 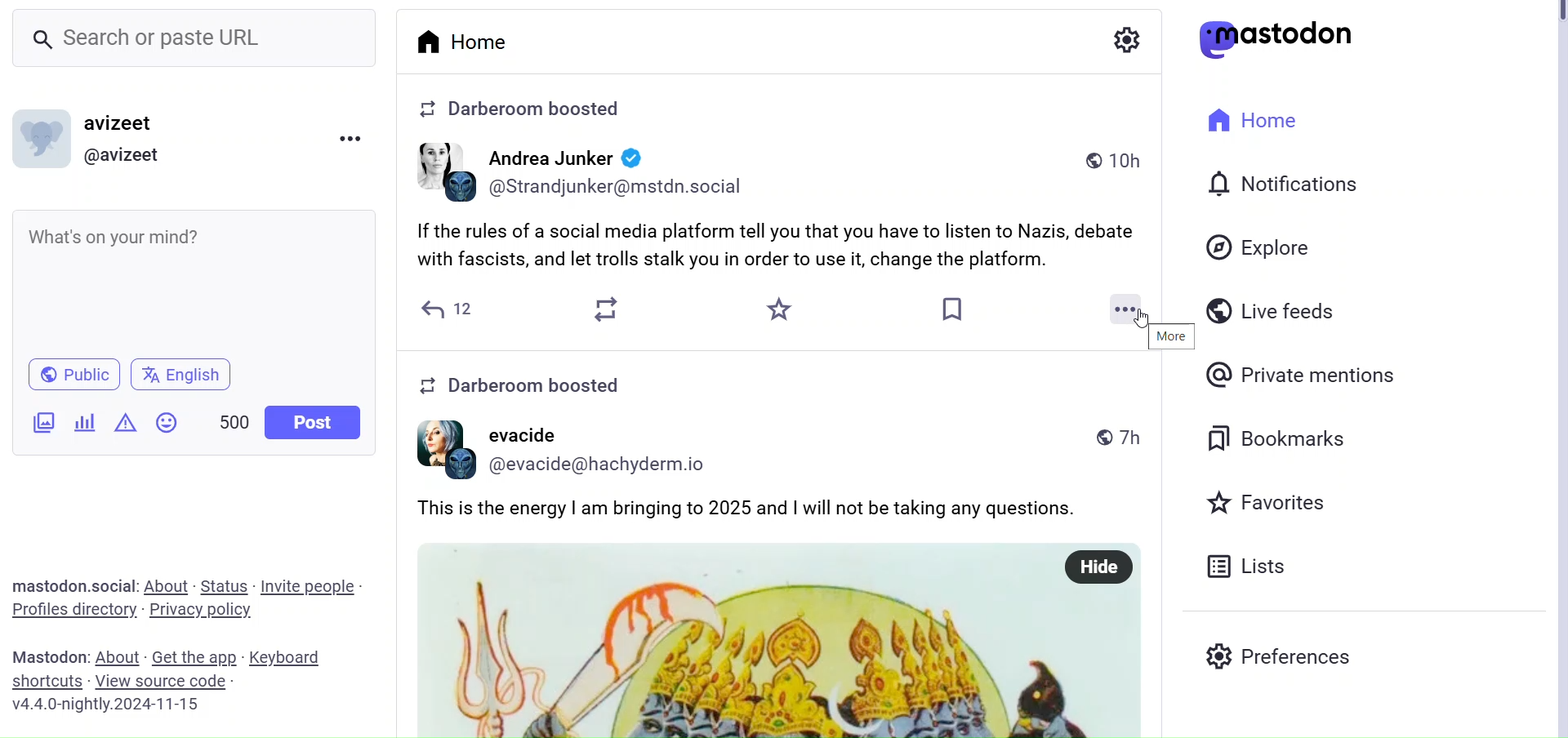 I want to click on Text, so click(x=78, y=585).